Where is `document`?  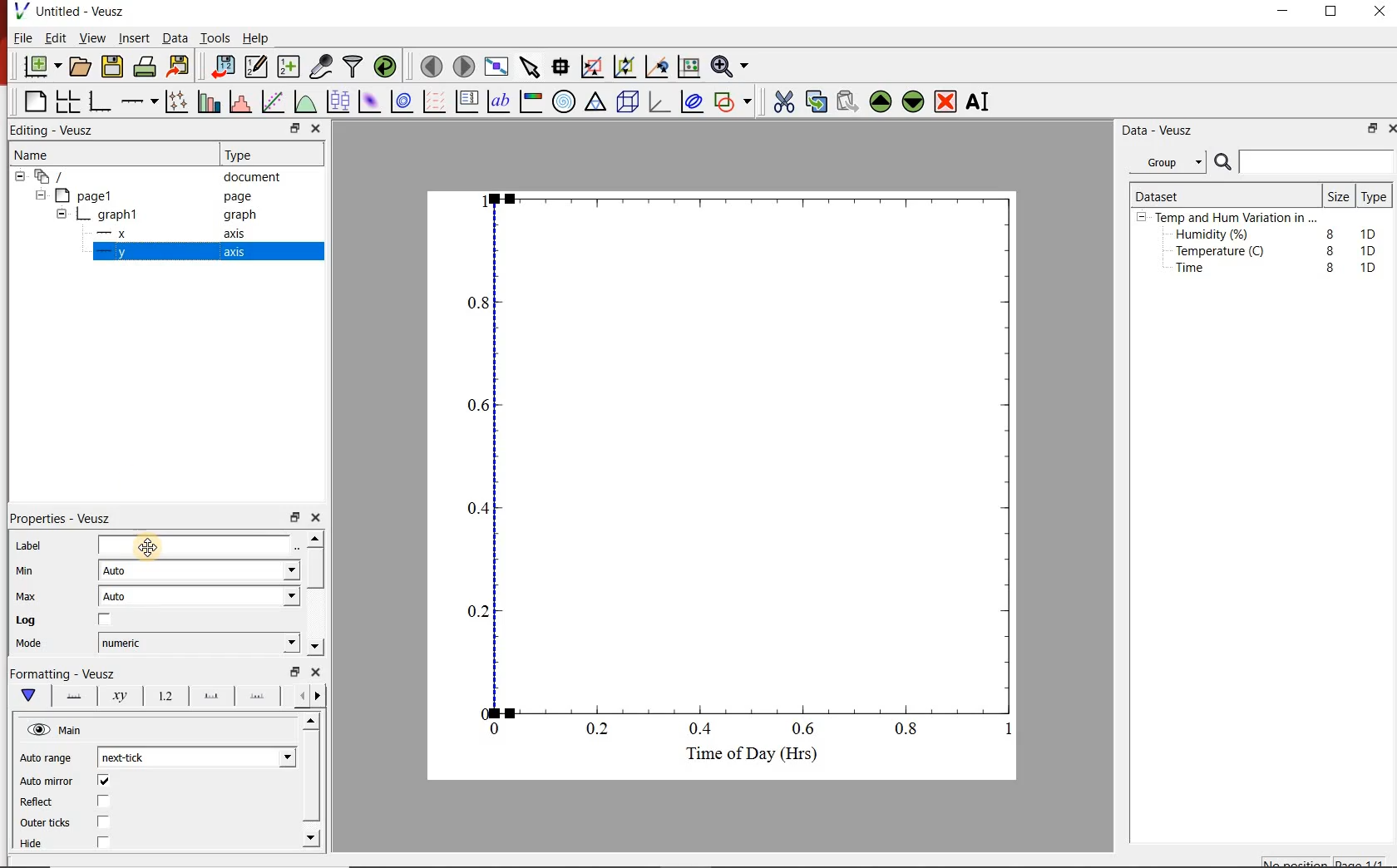
document is located at coordinates (258, 177).